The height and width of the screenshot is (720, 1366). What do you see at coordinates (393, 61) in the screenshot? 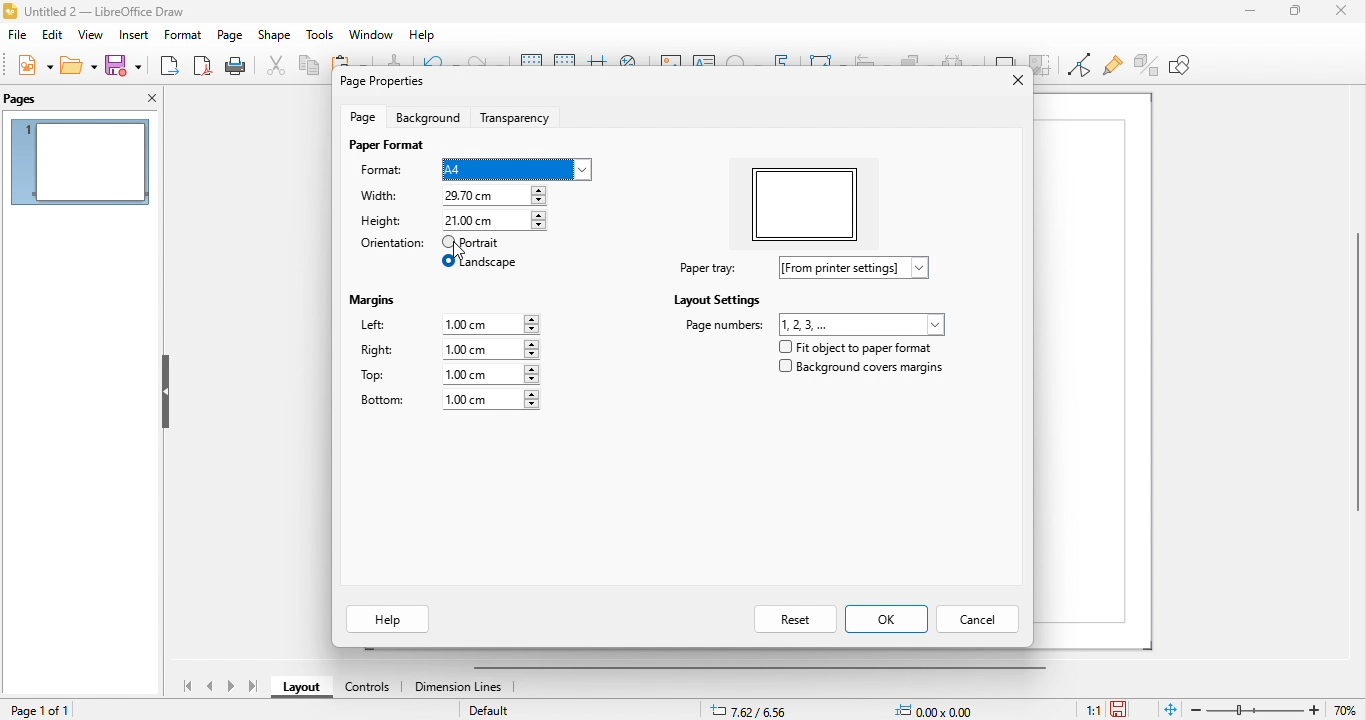
I see `clone` at bounding box center [393, 61].